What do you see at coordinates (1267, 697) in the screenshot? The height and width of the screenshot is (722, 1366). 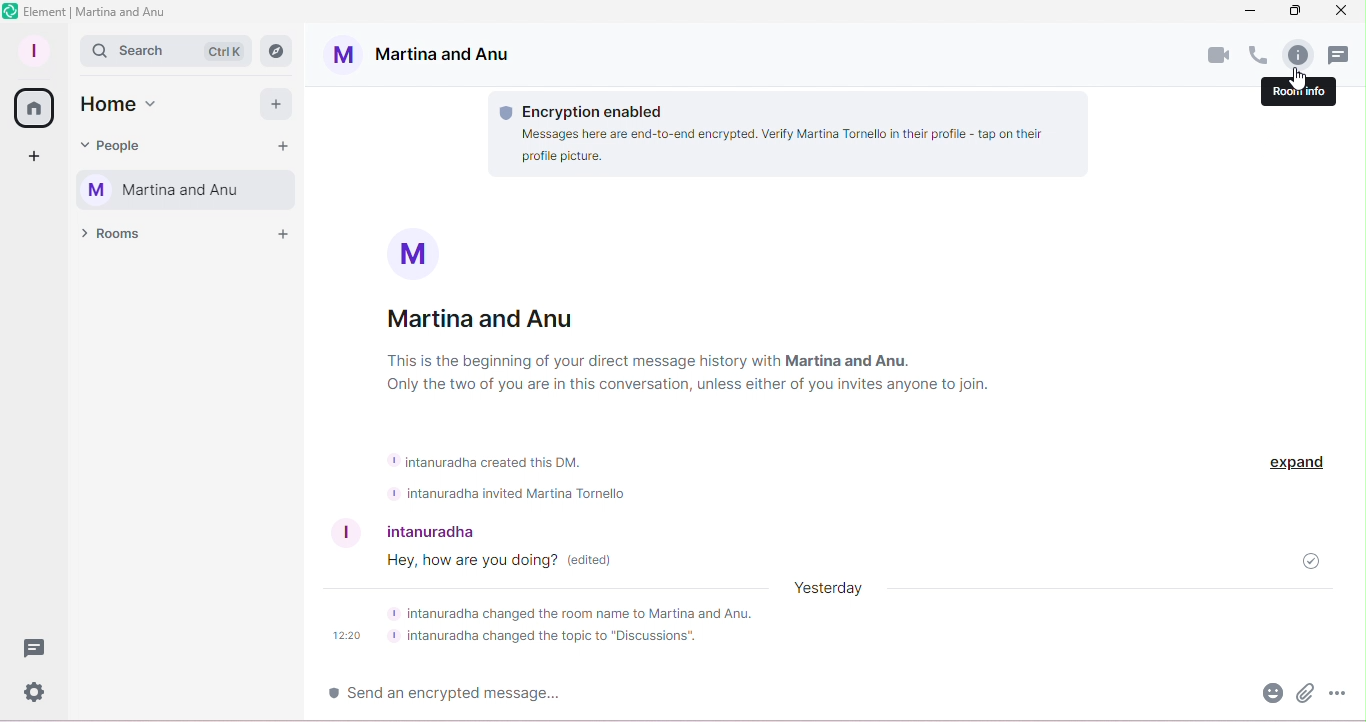 I see `Emoji` at bounding box center [1267, 697].